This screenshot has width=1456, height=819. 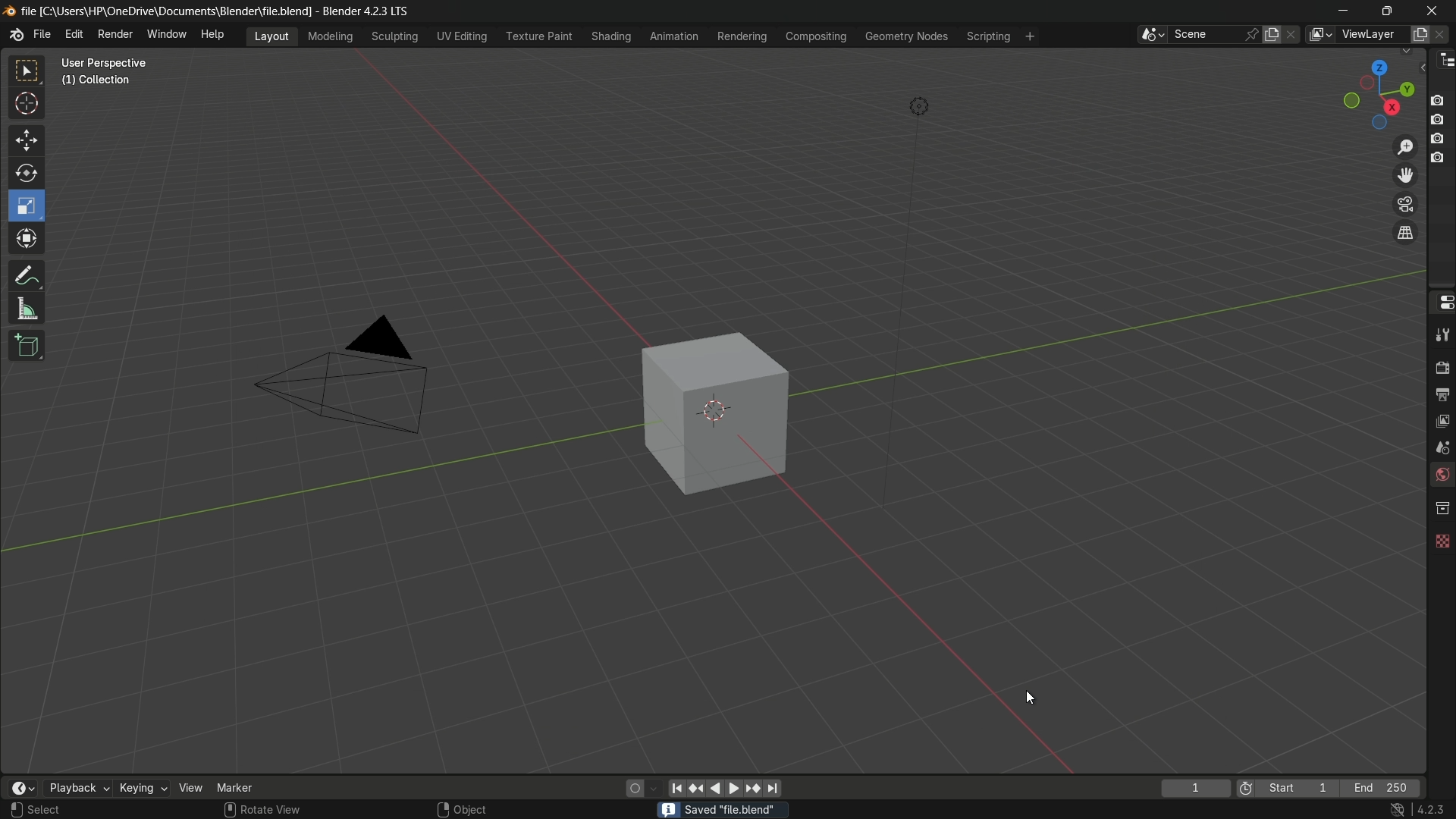 What do you see at coordinates (166, 9) in the screenshot?
I see `file name changed` at bounding box center [166, 9].